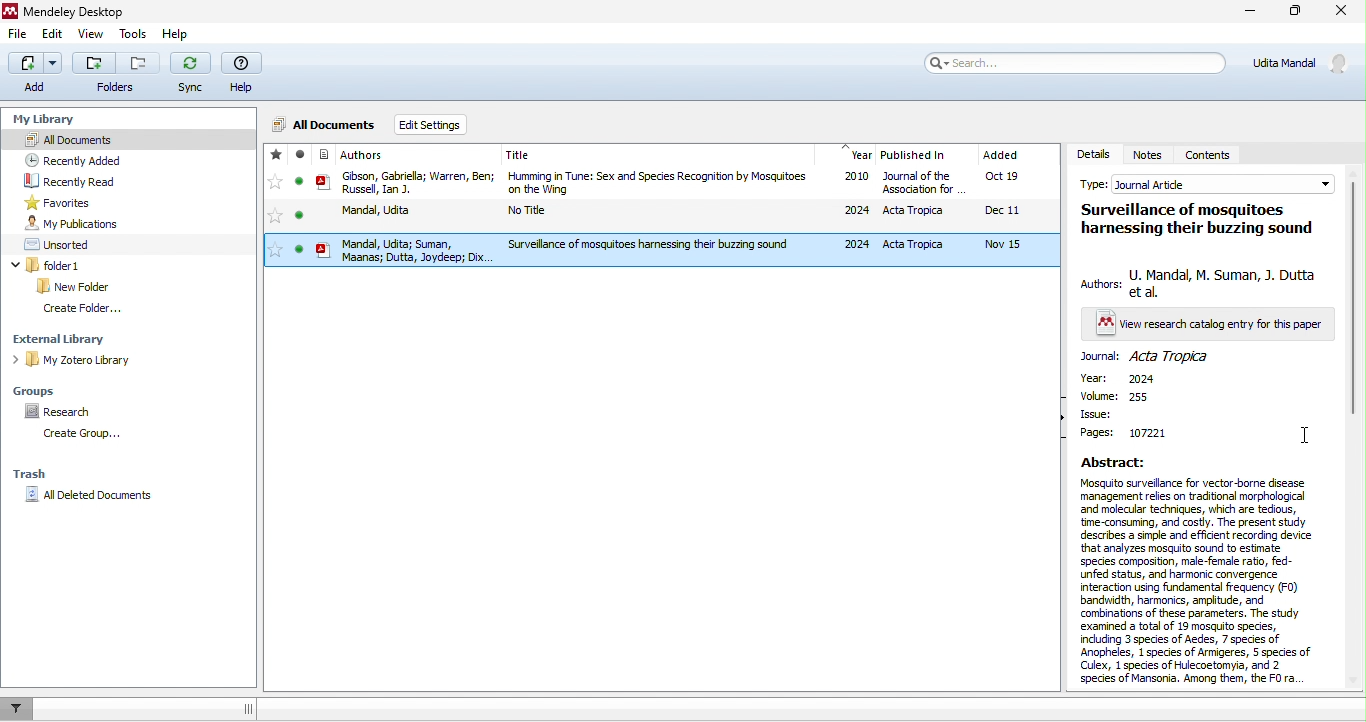 The height and width of the screenshot is (722, 1366). I want to click on tools, so click(132, 35).